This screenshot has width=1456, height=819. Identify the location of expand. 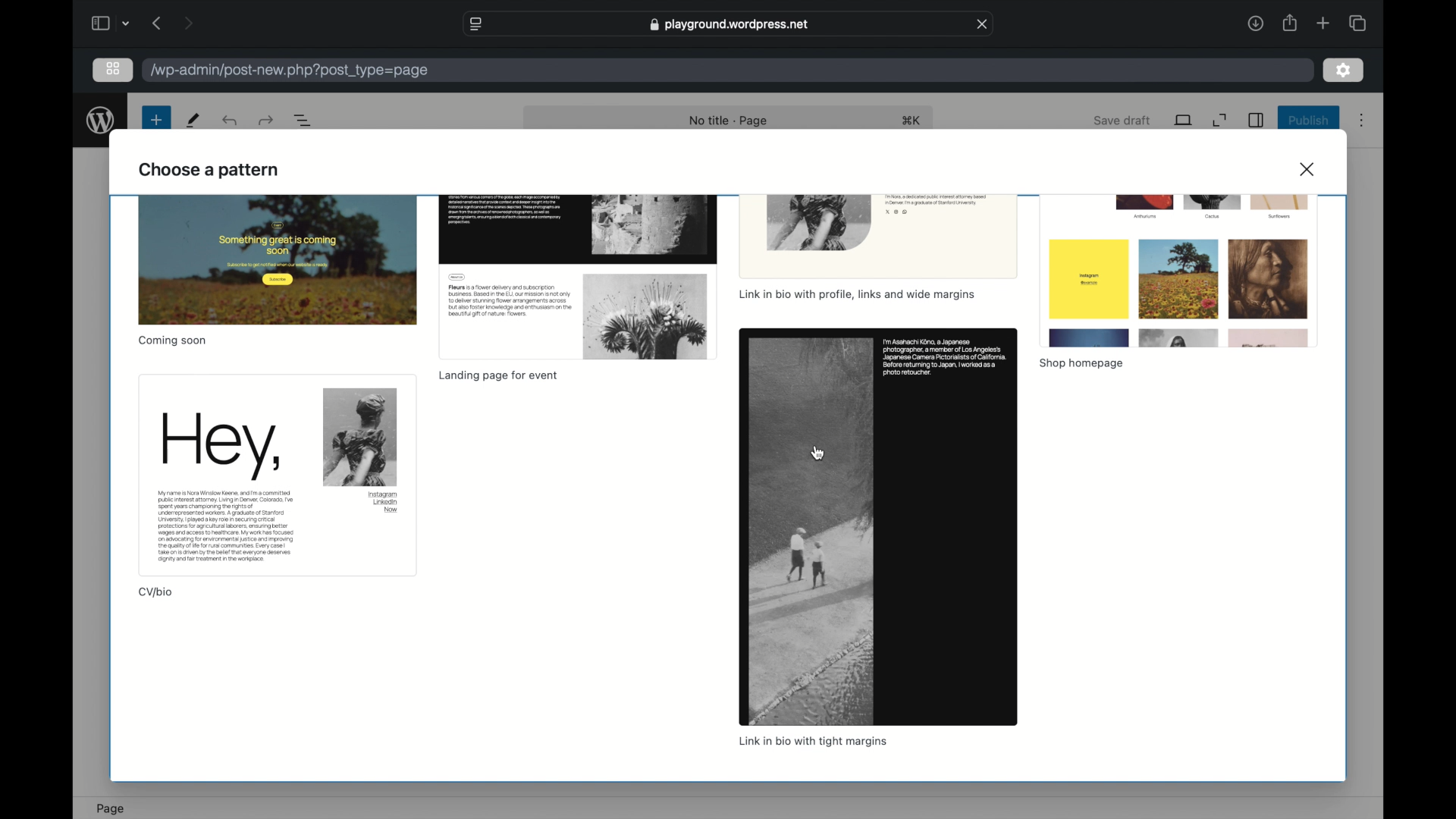
(1220, 121).